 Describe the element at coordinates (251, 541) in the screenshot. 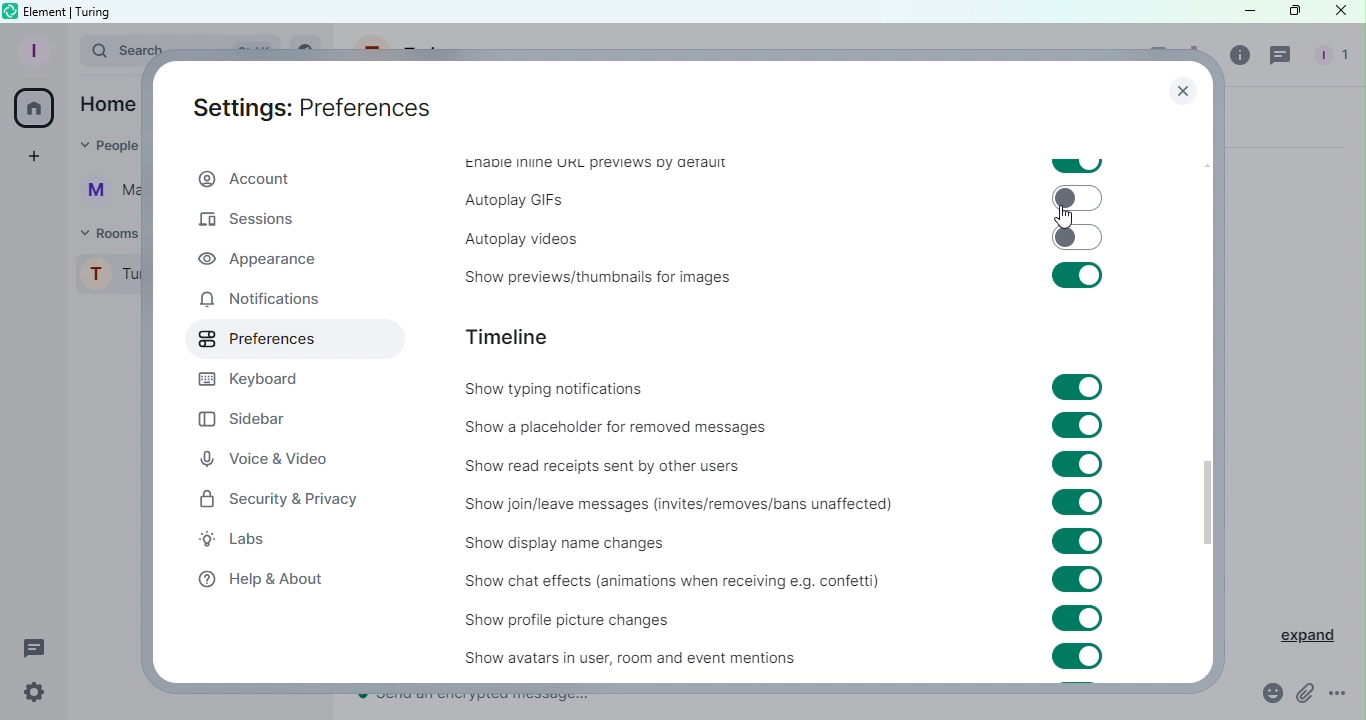

I see `Labs` at that location.